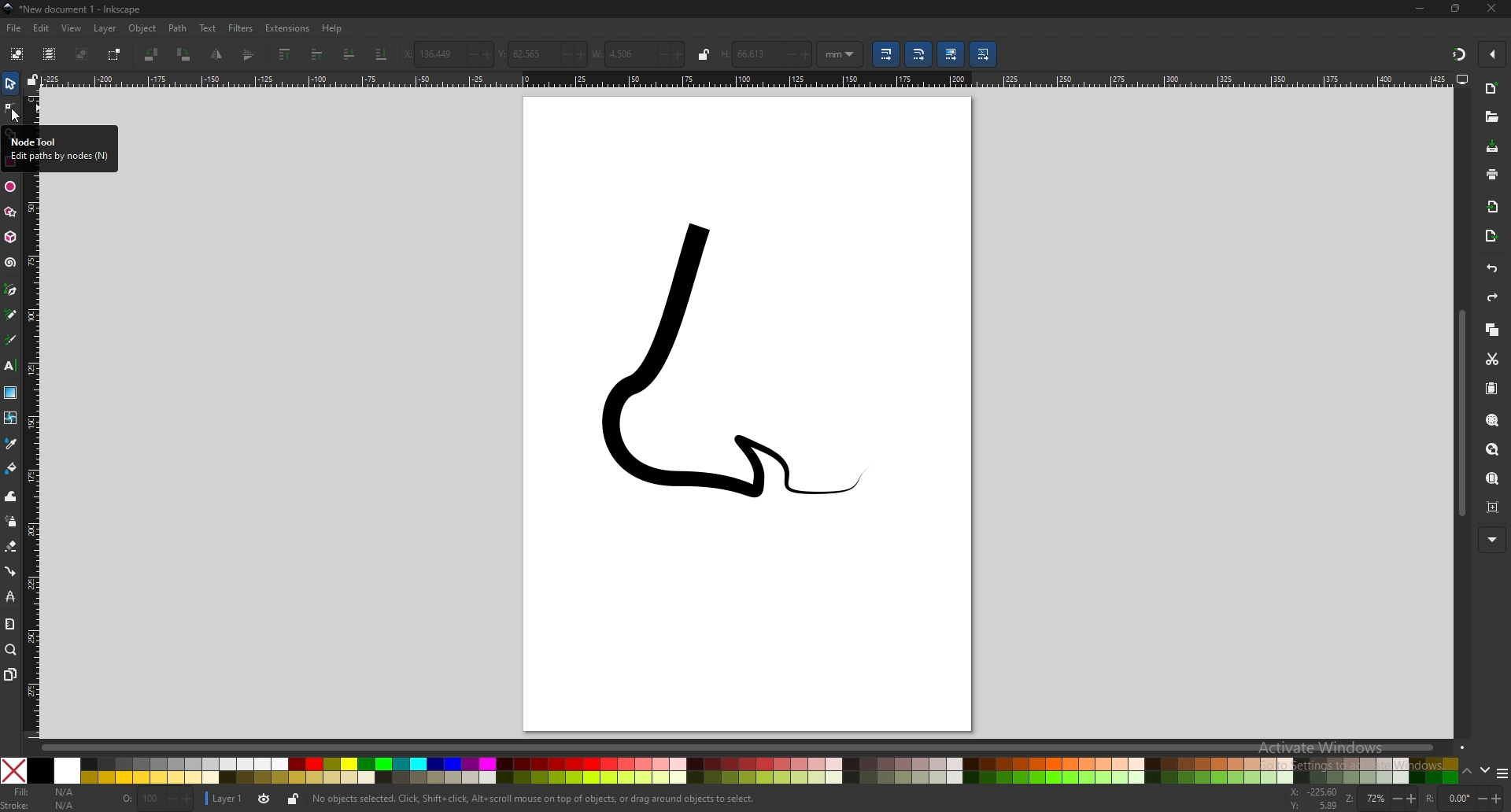 Image resolution: width=1511 pixels, height=812 pixels. What do you see at coordinates (1491, 389) in the screenshot?
I see `paste` at bounding box center [1491, 389].